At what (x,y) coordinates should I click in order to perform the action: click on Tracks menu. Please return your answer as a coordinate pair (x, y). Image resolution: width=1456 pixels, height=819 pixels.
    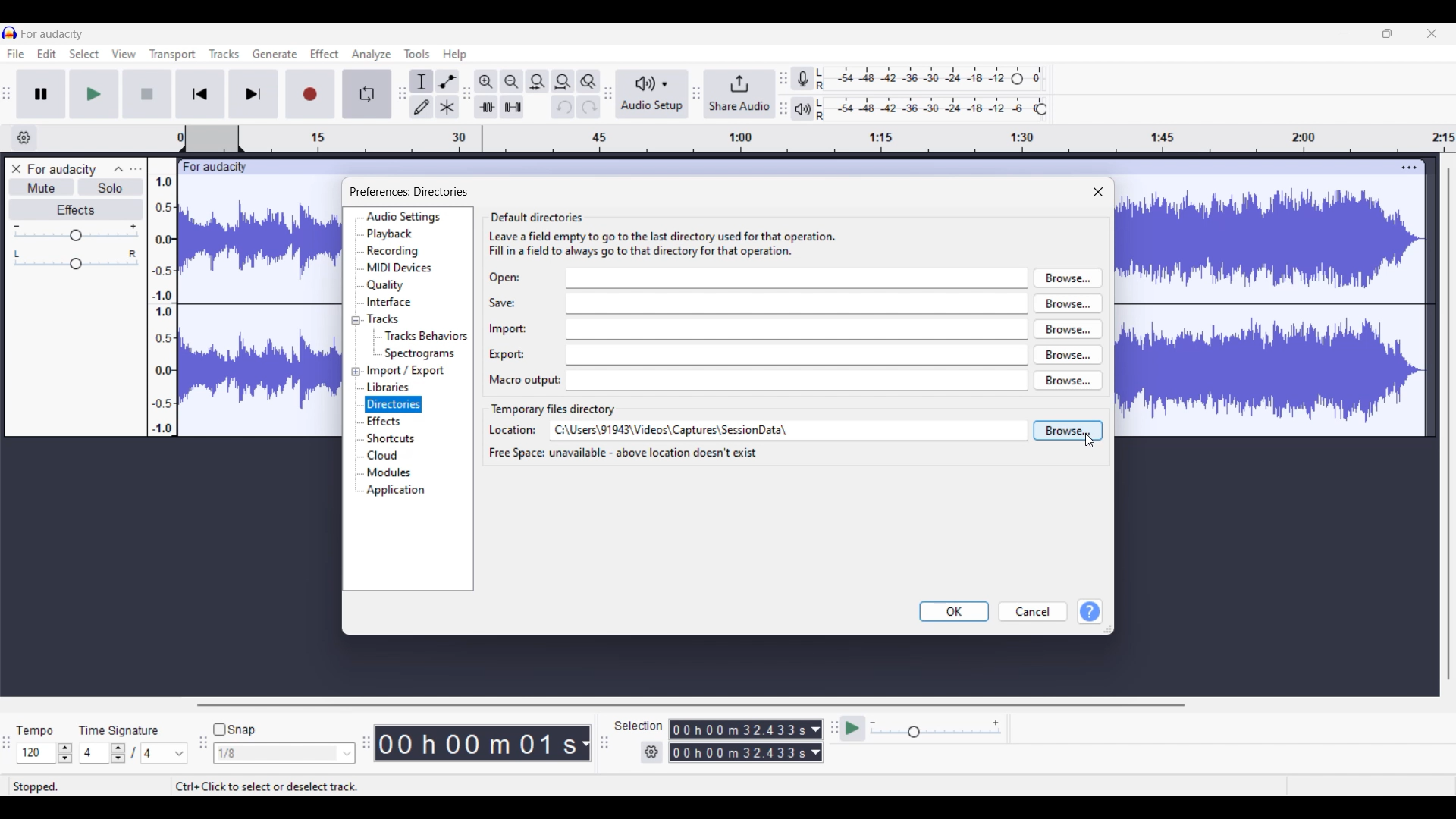
    Looking at the image, I should click on (224, 54).